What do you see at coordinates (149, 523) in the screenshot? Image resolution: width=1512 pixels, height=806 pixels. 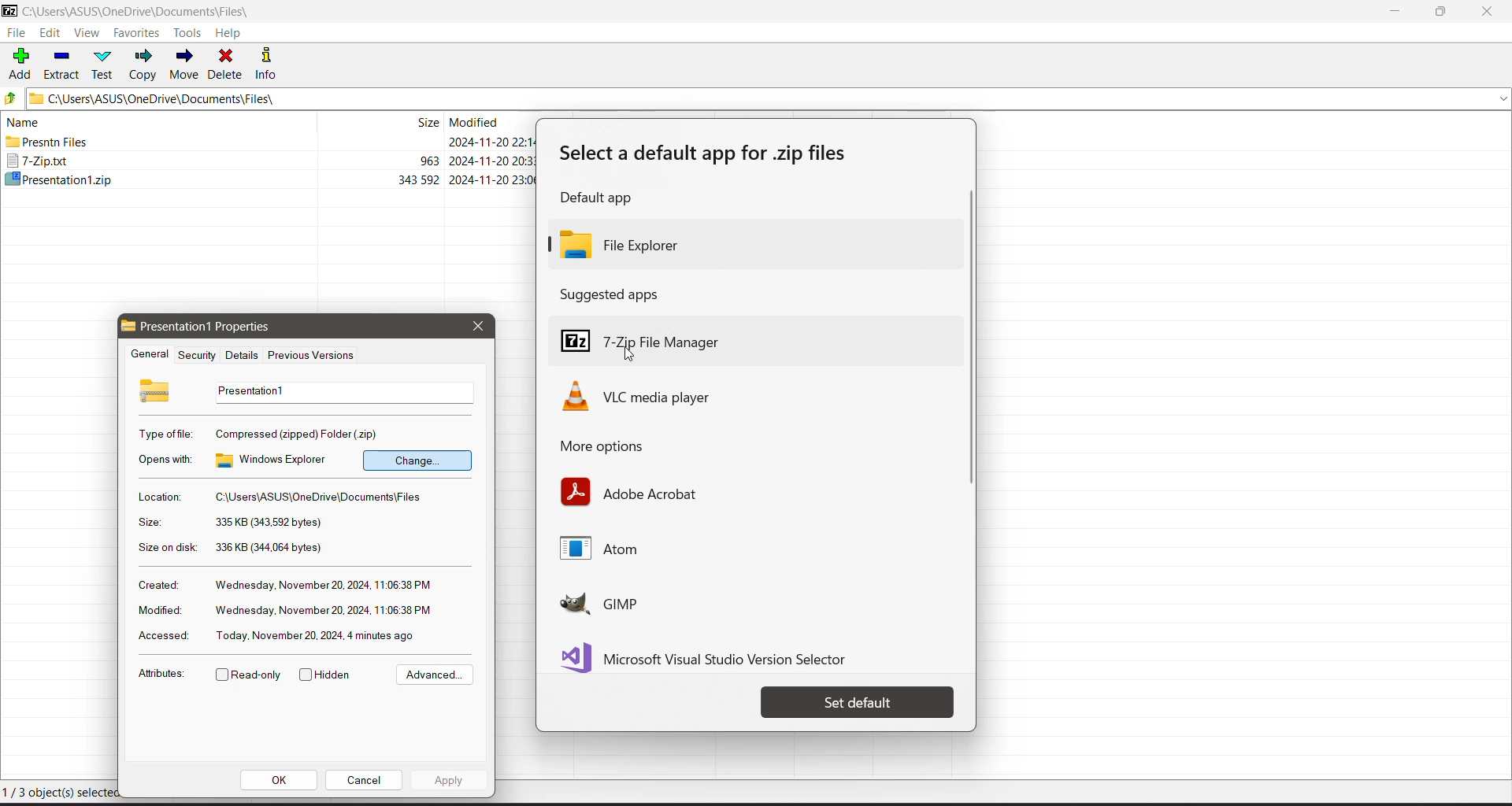 I see `Size` at bounding box center [149, 523].